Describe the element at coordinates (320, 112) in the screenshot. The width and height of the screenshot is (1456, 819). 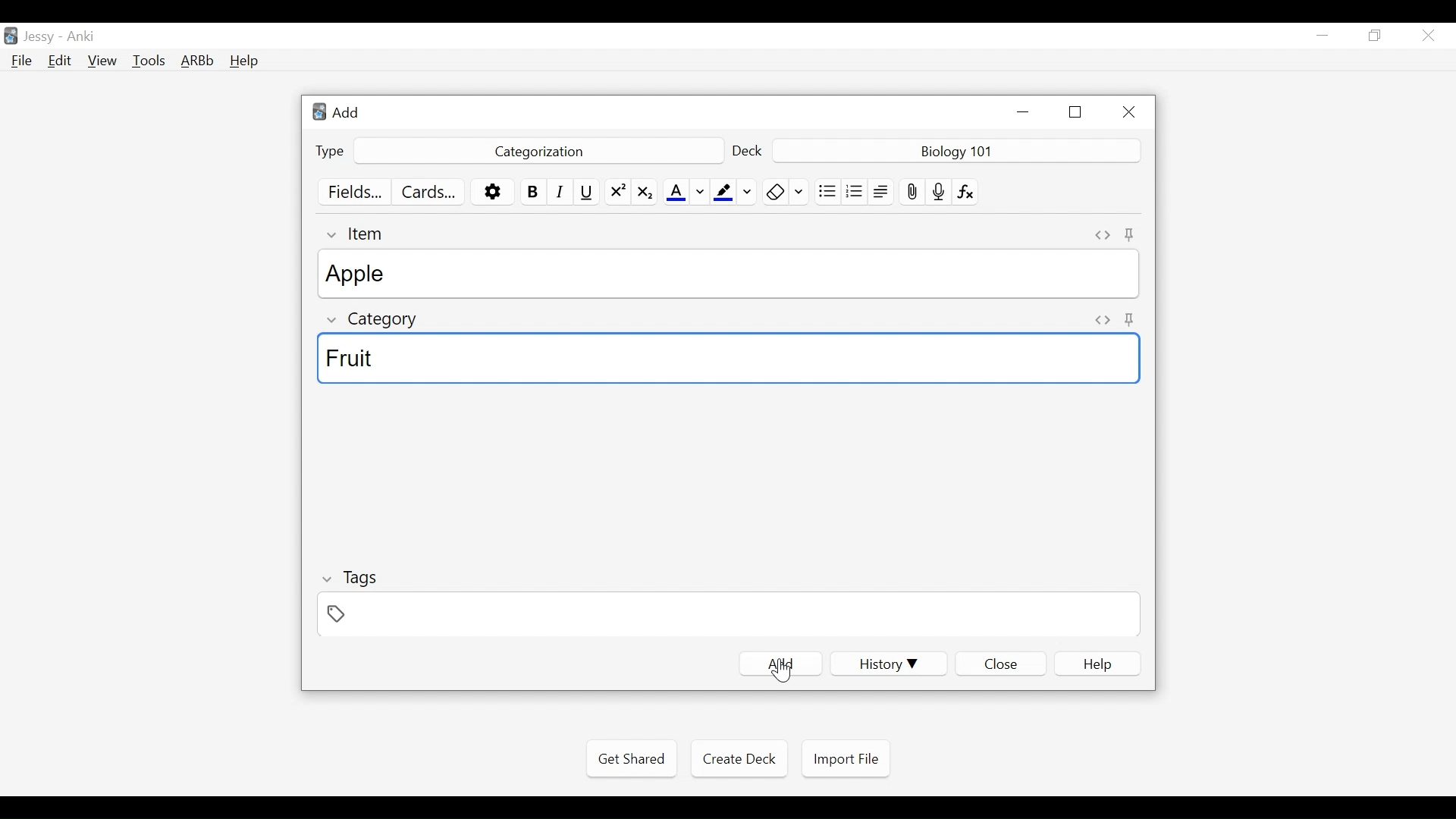
I see `Anki logo` at that location.